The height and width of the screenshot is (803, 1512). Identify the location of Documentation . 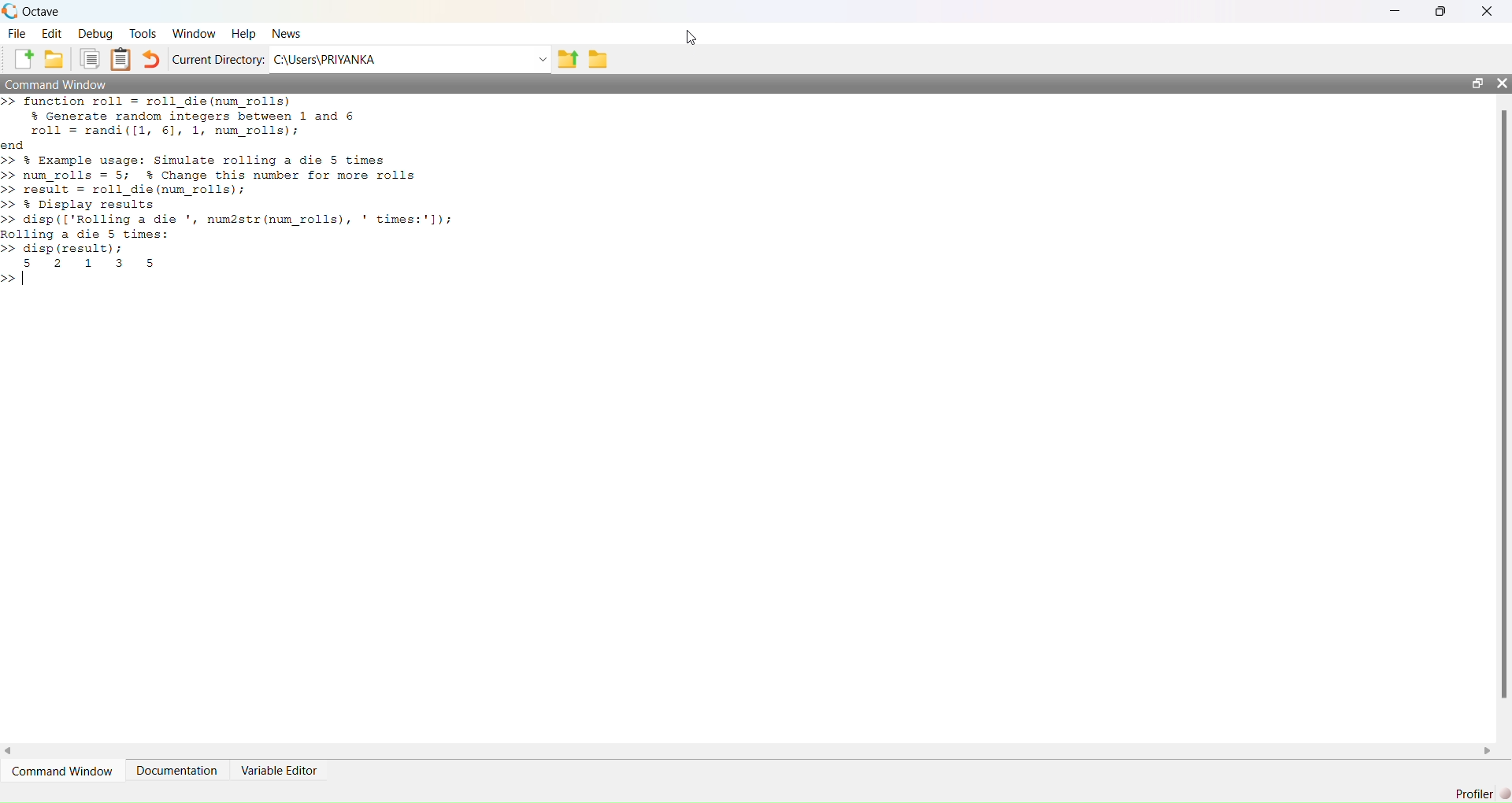
(177, 771).